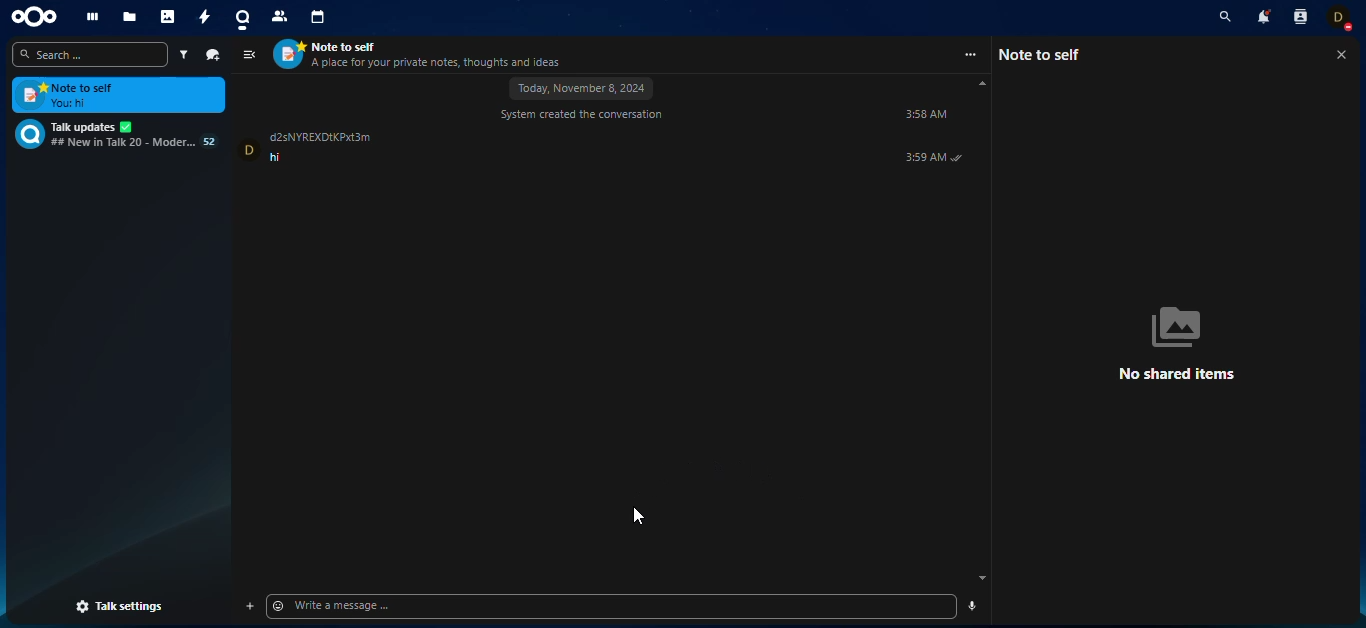 Image resolution: width=1366 pixels, height=628 pixels. What do you see at coordinates (582, 116) in the screenshot?
I see `system created conversation` at bounding box center [582, 116].